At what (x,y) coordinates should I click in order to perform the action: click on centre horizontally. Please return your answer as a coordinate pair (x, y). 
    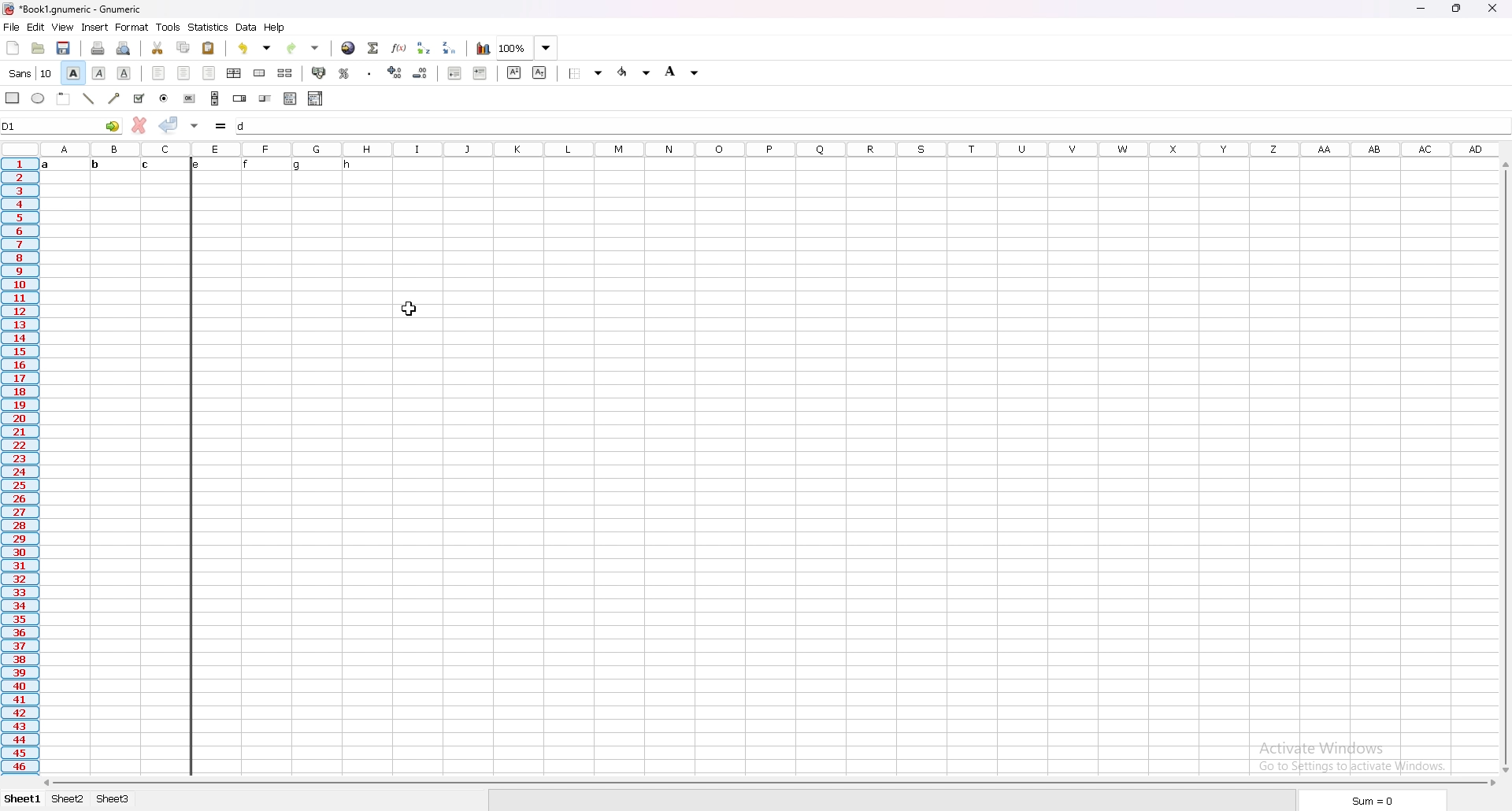
    Looking at the image, I should click on (235, 73).